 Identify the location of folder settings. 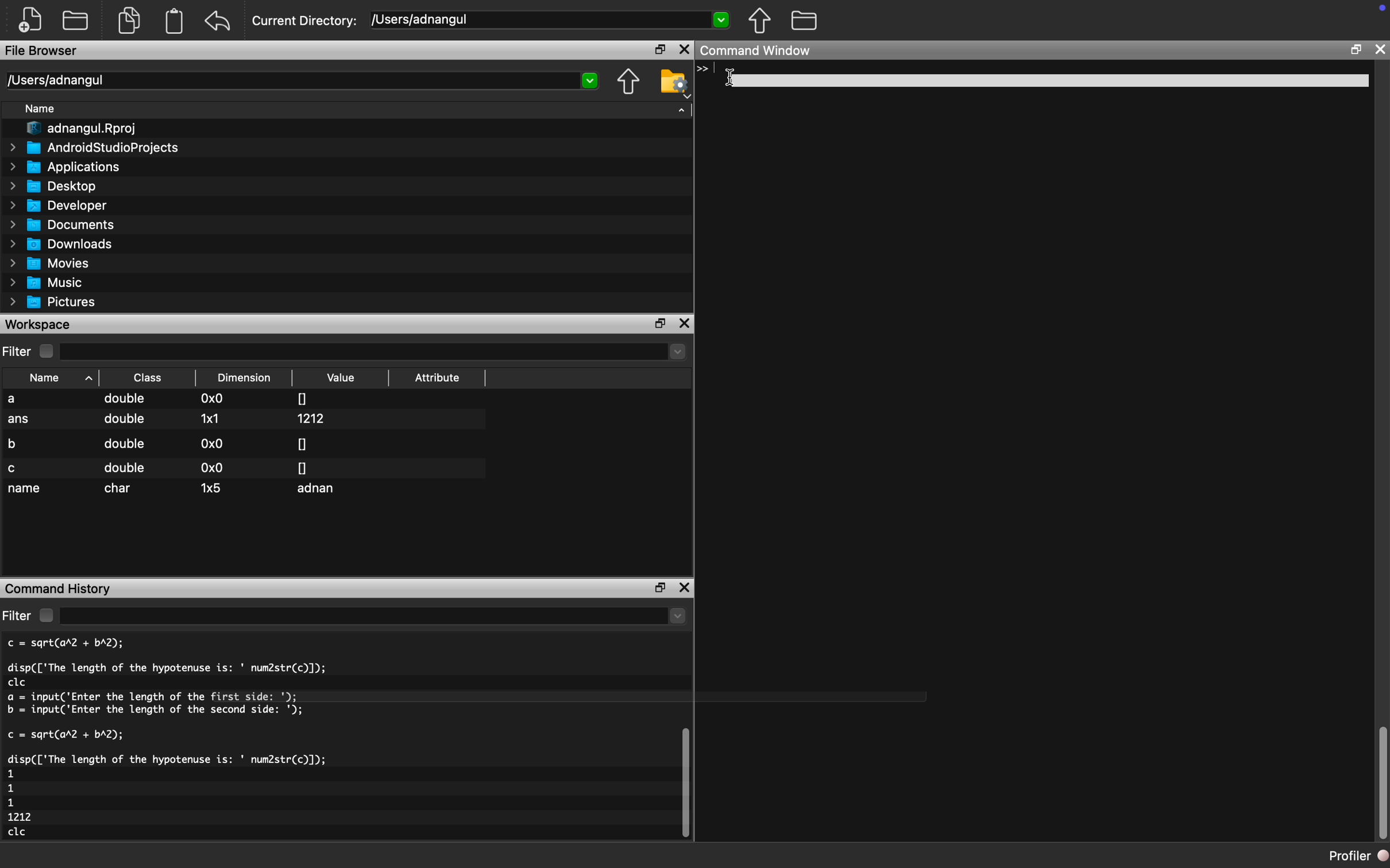
(674, 82).